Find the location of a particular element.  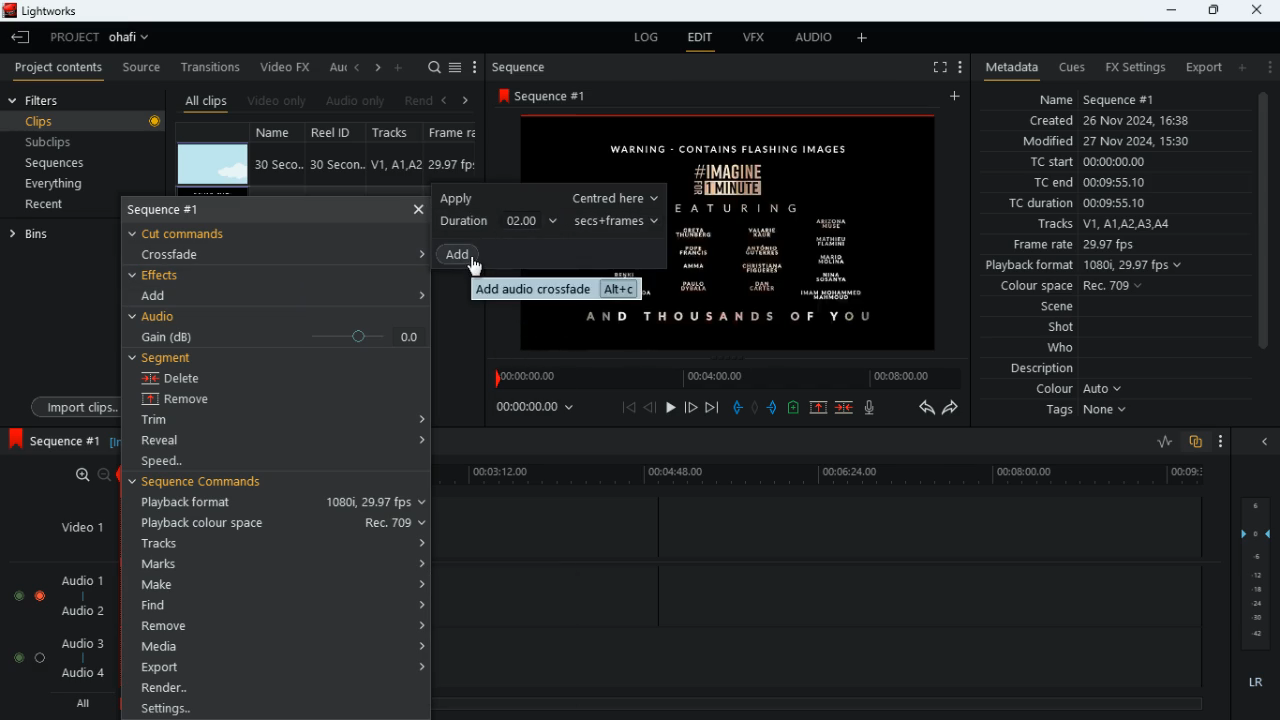

30 secon... is located at coordinates (334, 165).